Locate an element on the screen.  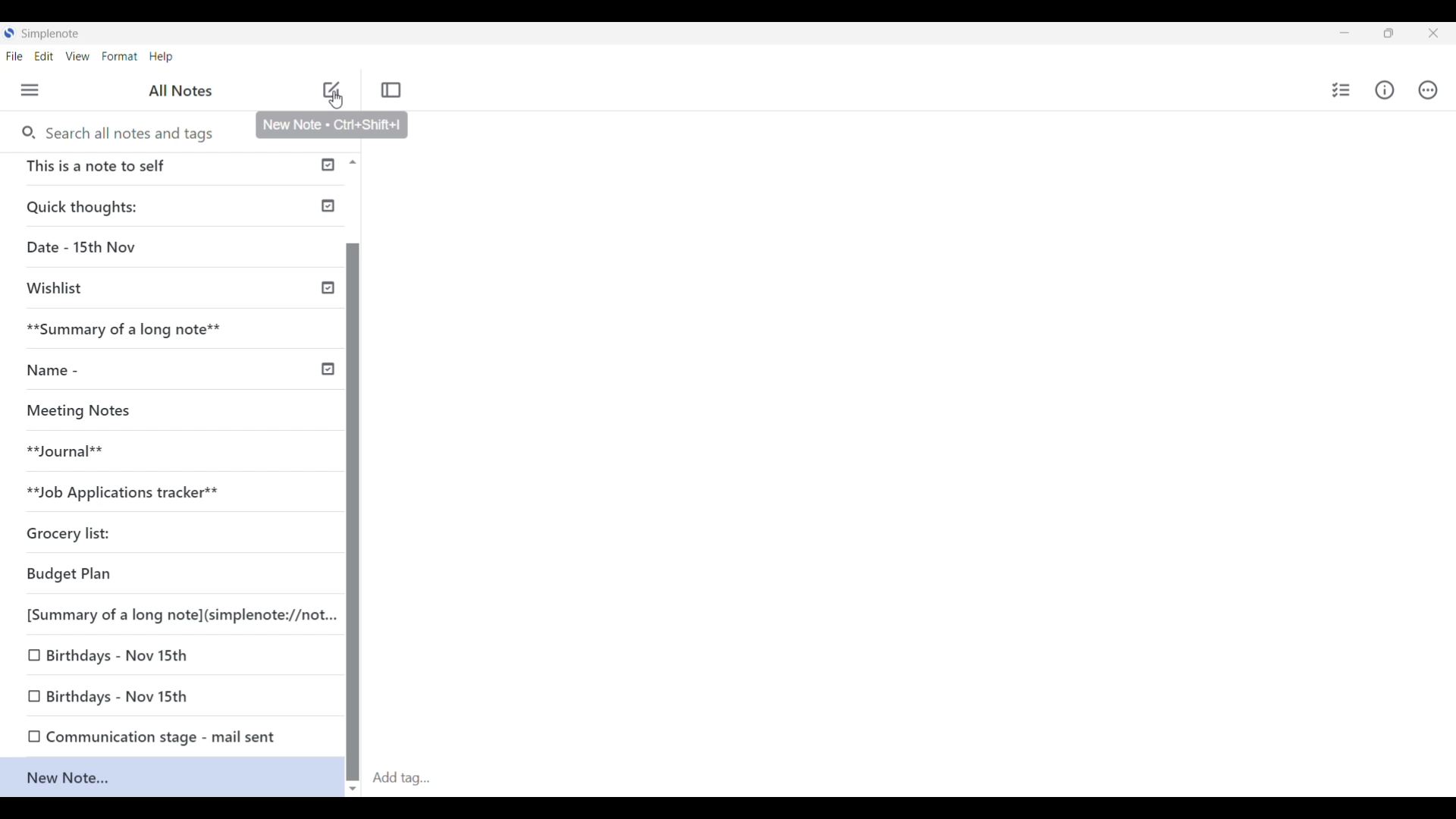
View menu is located at coordinates (78, 56).